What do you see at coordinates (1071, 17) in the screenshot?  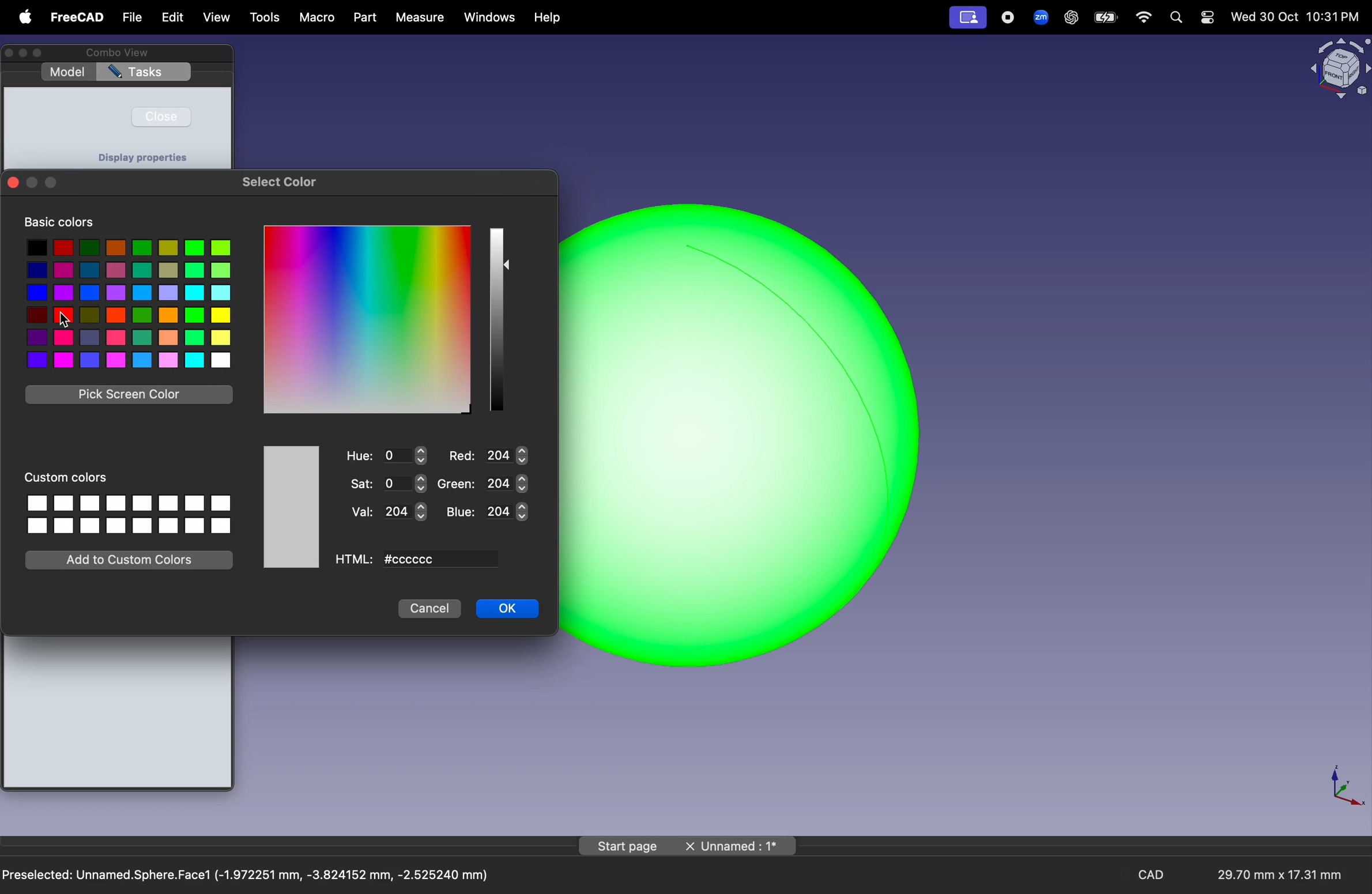 I see `chatgpt` at bounding box center [1071, 17].